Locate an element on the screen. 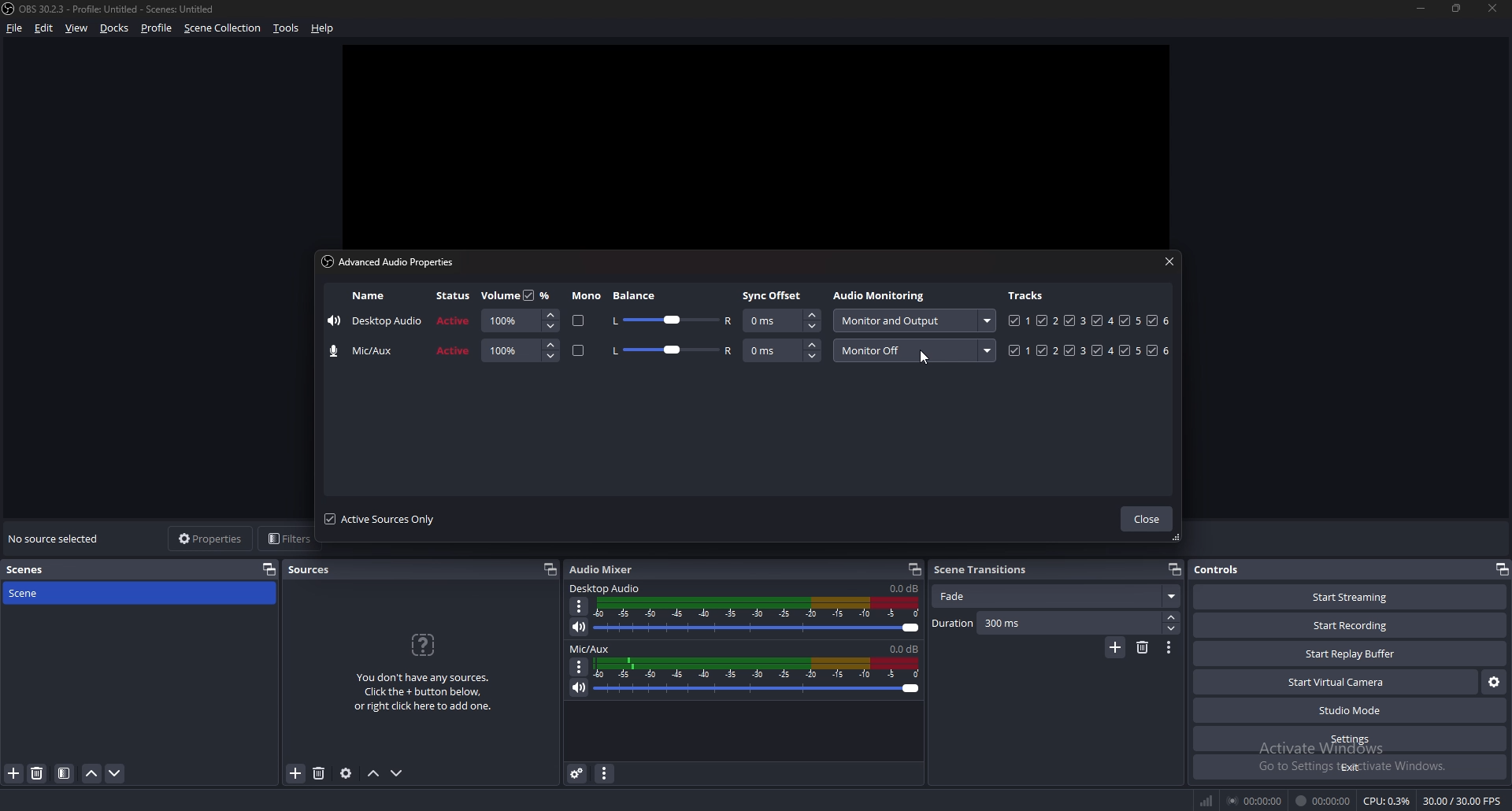 This screenshot has width=1512, height=811. tracks is located at coordinates (1087, 350).